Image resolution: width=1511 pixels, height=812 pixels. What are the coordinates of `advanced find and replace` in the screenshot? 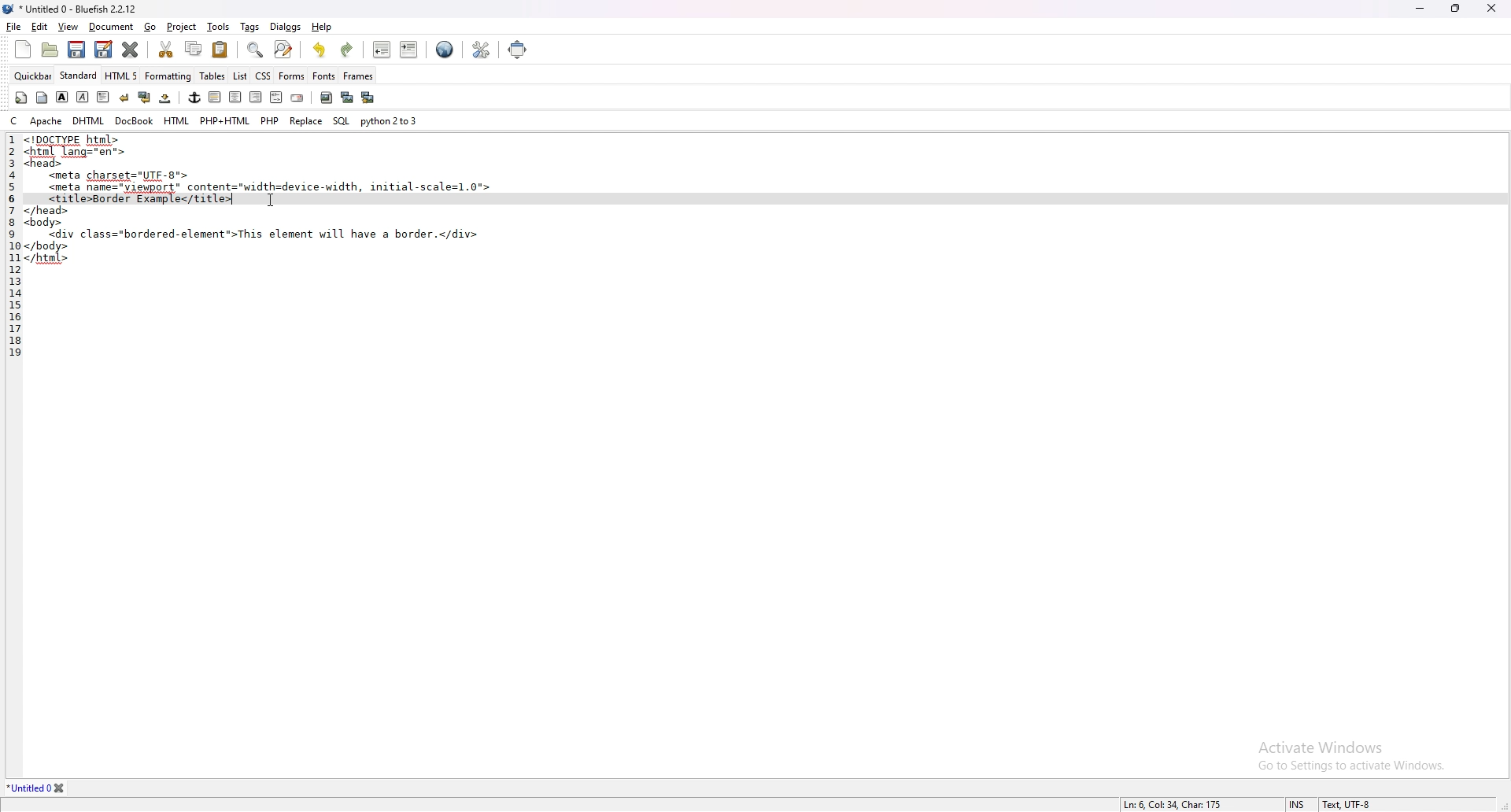 It's located at (285, 49).